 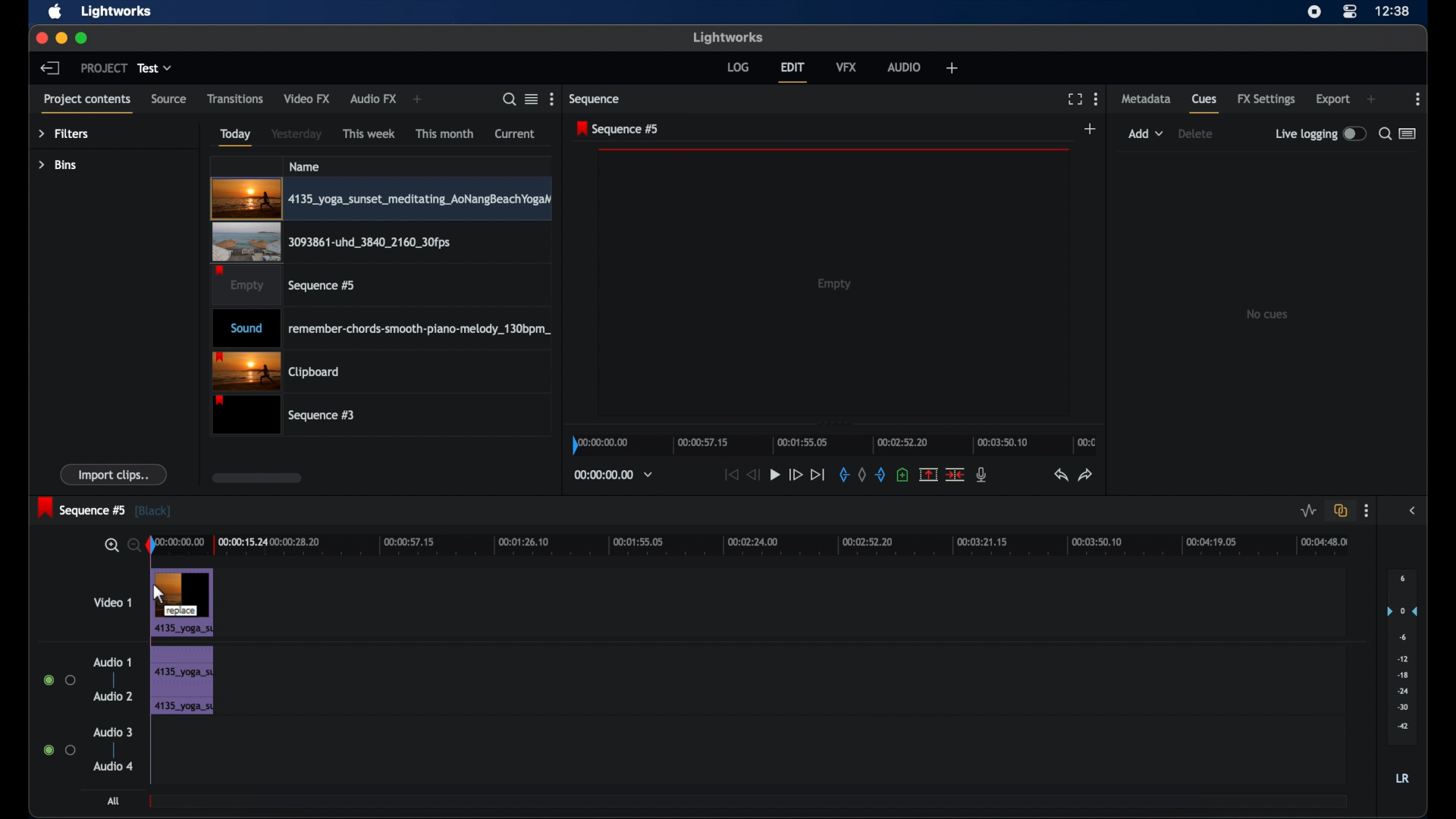 I want to click on clipboard, so click(x=281, y=371).